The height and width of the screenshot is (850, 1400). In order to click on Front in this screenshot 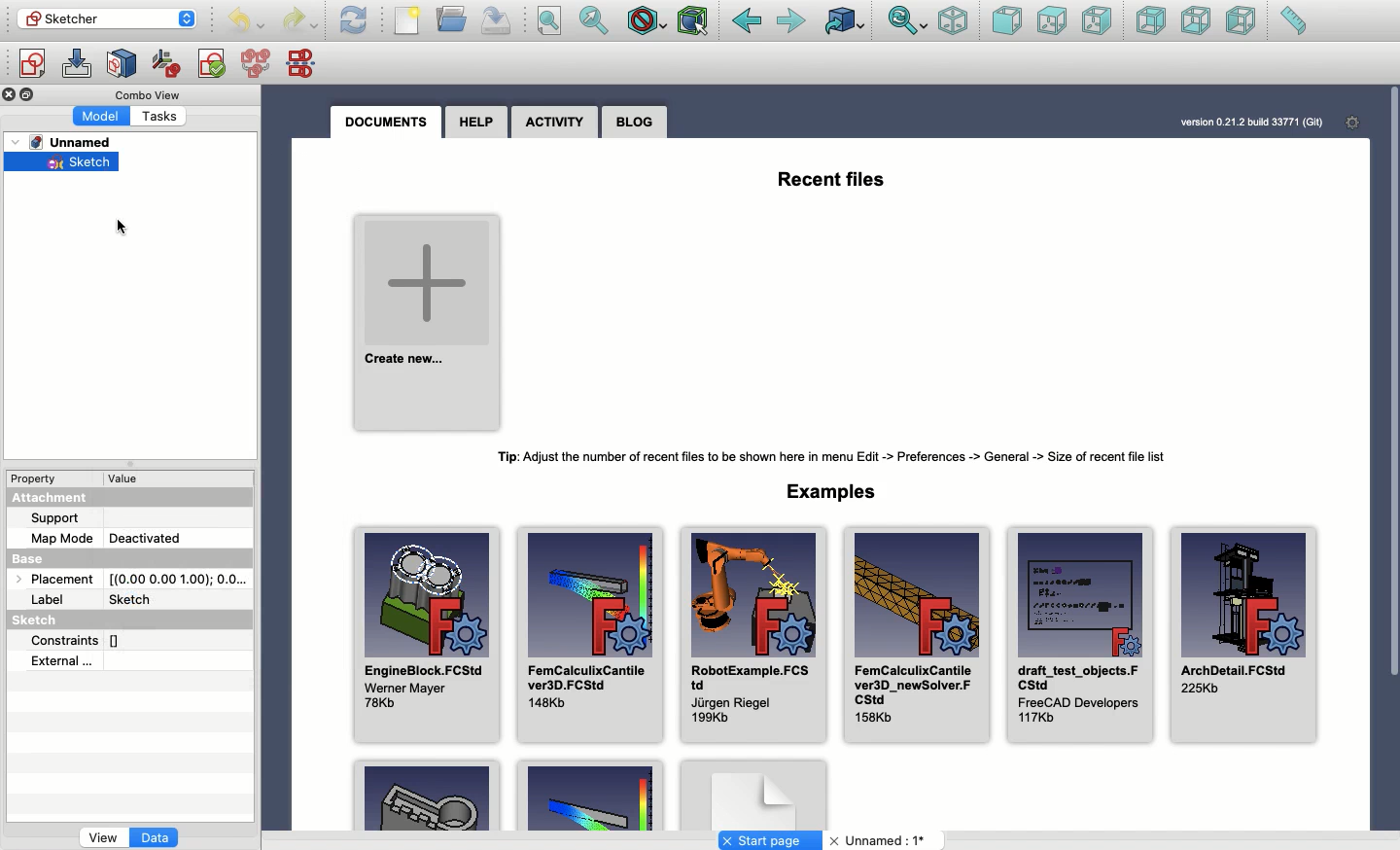, I will do `click(1007, 22)`.